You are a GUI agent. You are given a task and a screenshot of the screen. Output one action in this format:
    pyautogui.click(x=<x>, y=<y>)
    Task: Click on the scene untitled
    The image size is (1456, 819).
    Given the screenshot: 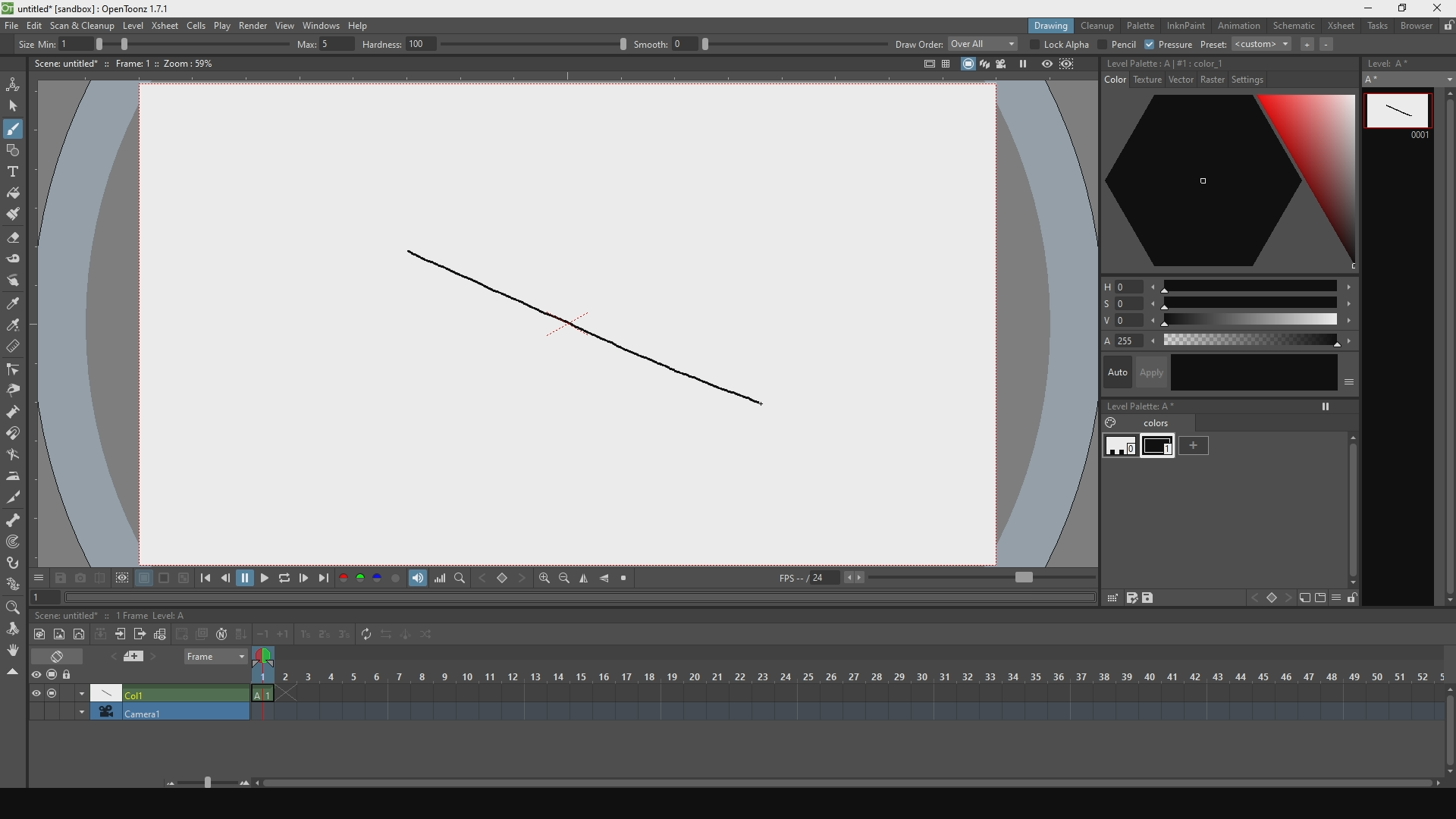 What is the action you would take?
    pyautogui.click(x=70, y=613)
    